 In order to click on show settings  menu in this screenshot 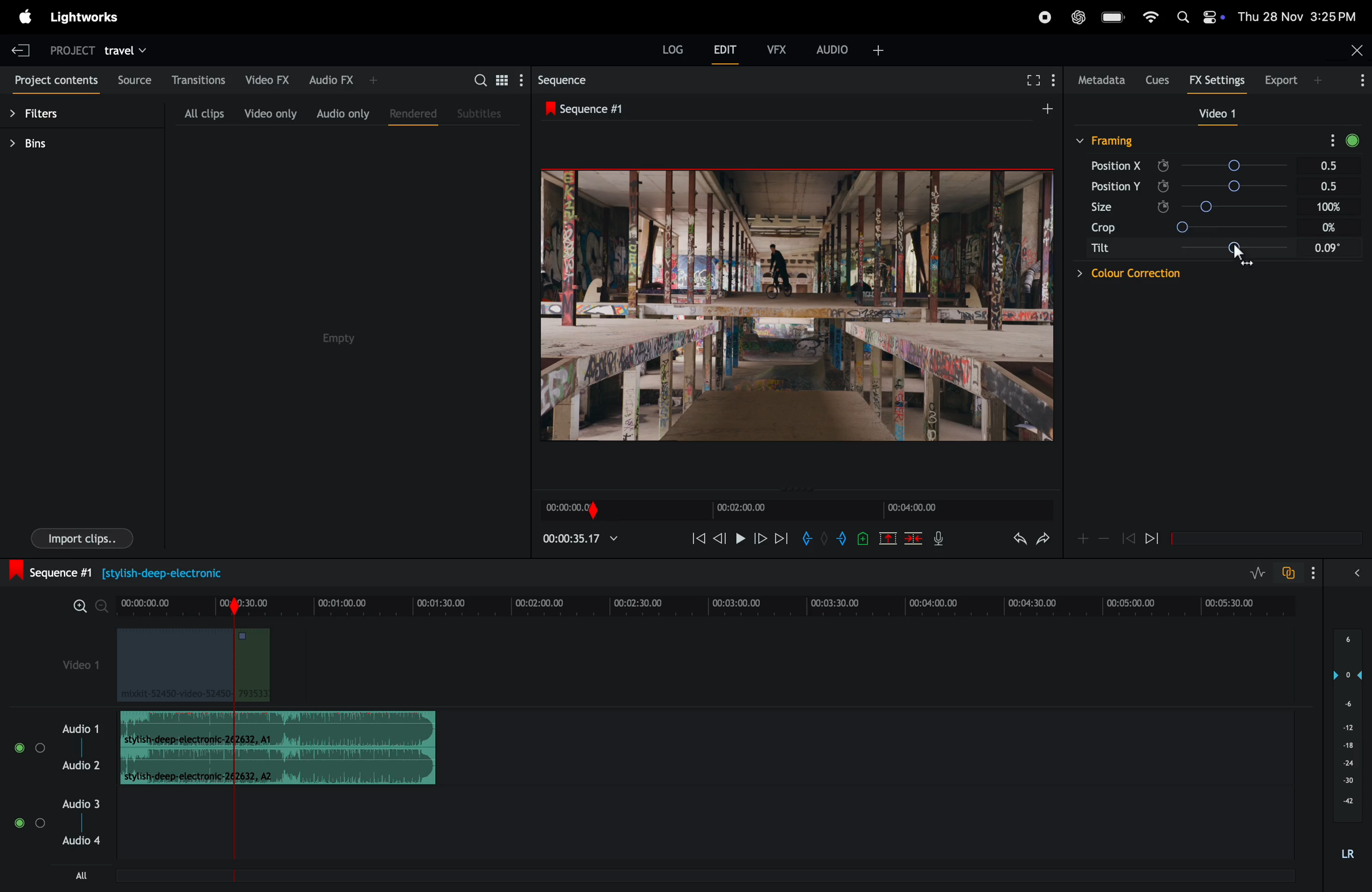, I will do `click(1329, 140)`.